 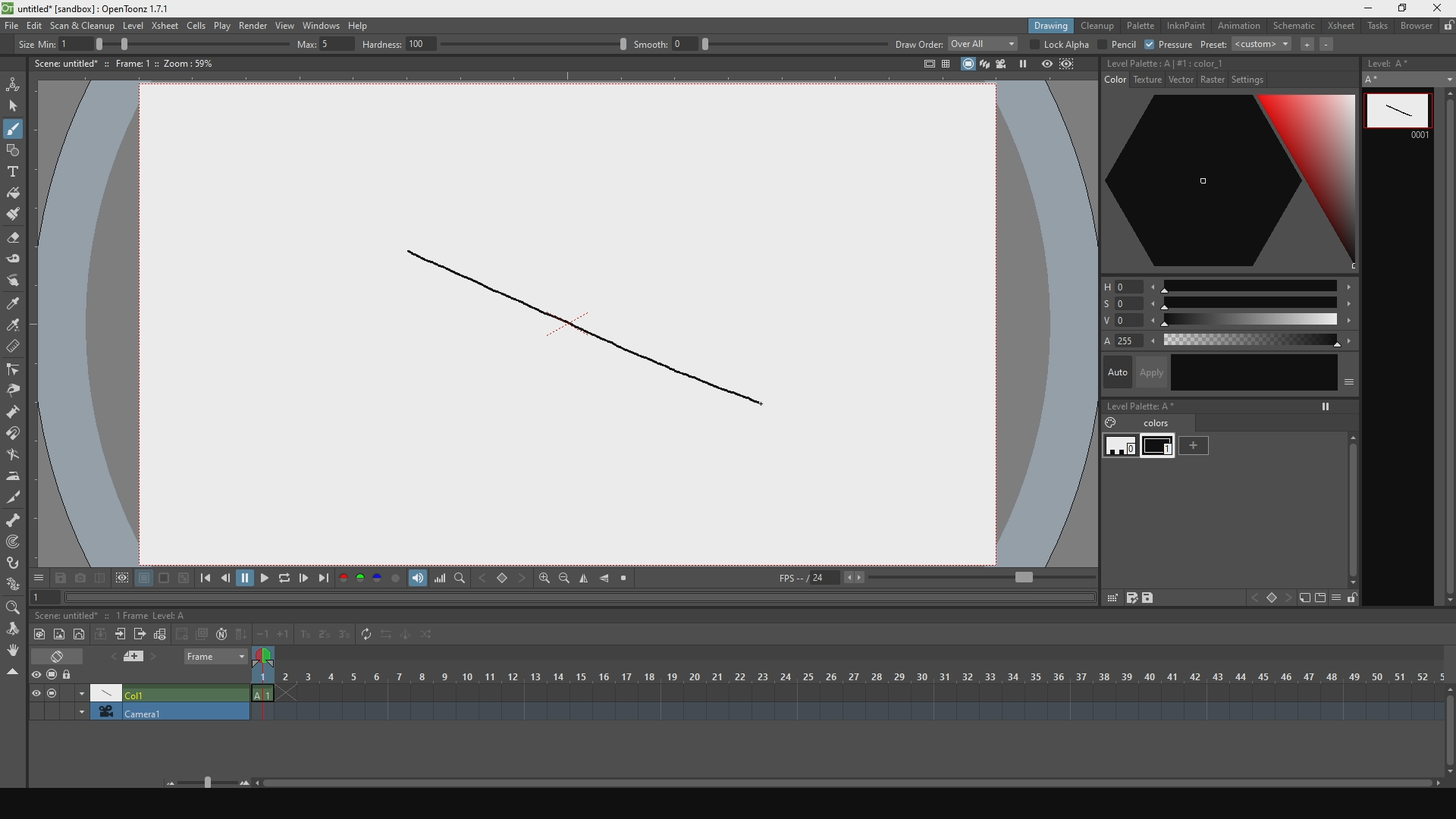 I want to click on skip to the next point, so click(x=326, y=579).